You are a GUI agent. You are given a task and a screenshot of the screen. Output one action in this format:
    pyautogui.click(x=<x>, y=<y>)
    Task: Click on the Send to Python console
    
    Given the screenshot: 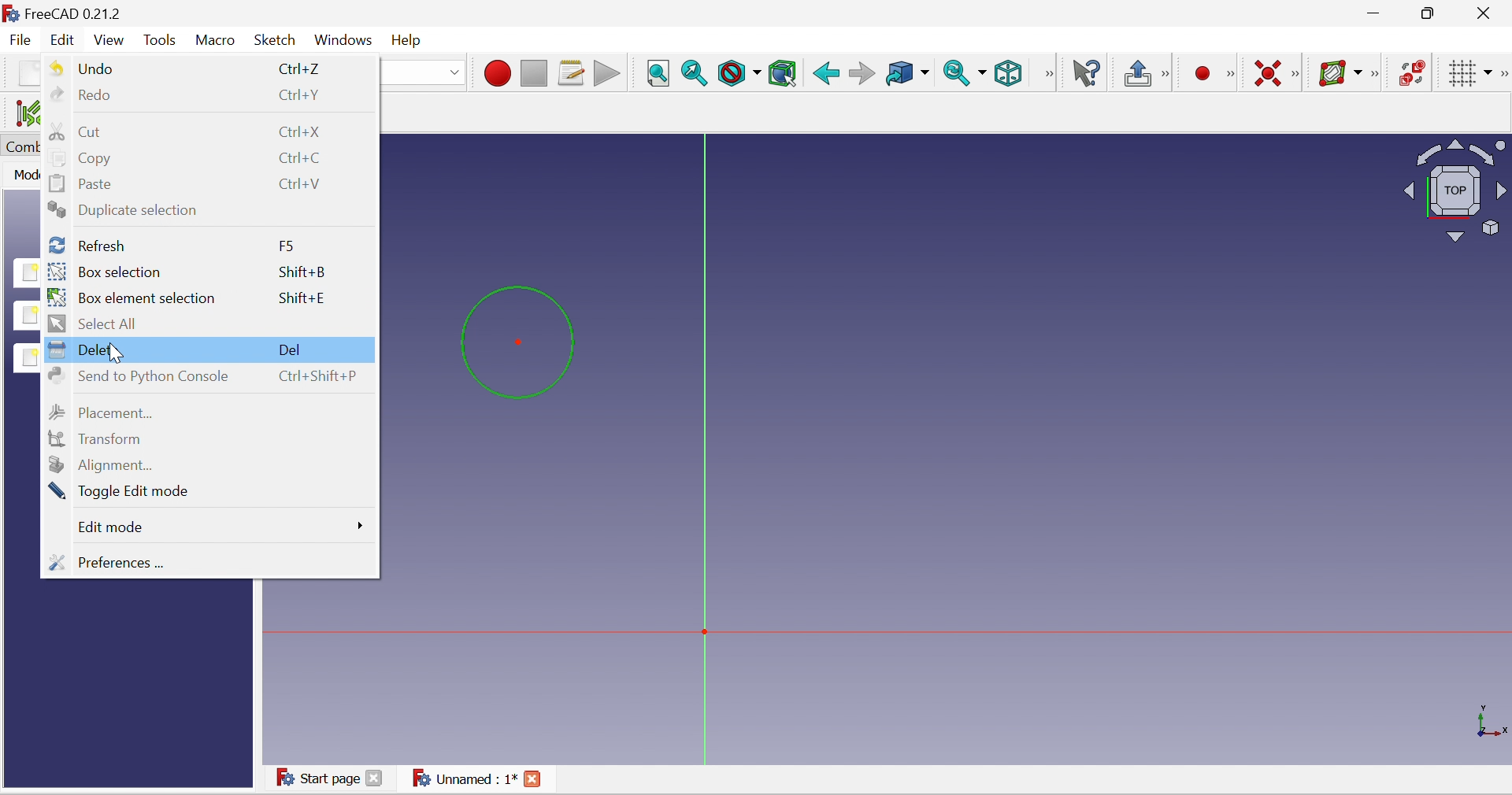 What is the action you would take?
    pyautogui.click(x=137, y=376)
    